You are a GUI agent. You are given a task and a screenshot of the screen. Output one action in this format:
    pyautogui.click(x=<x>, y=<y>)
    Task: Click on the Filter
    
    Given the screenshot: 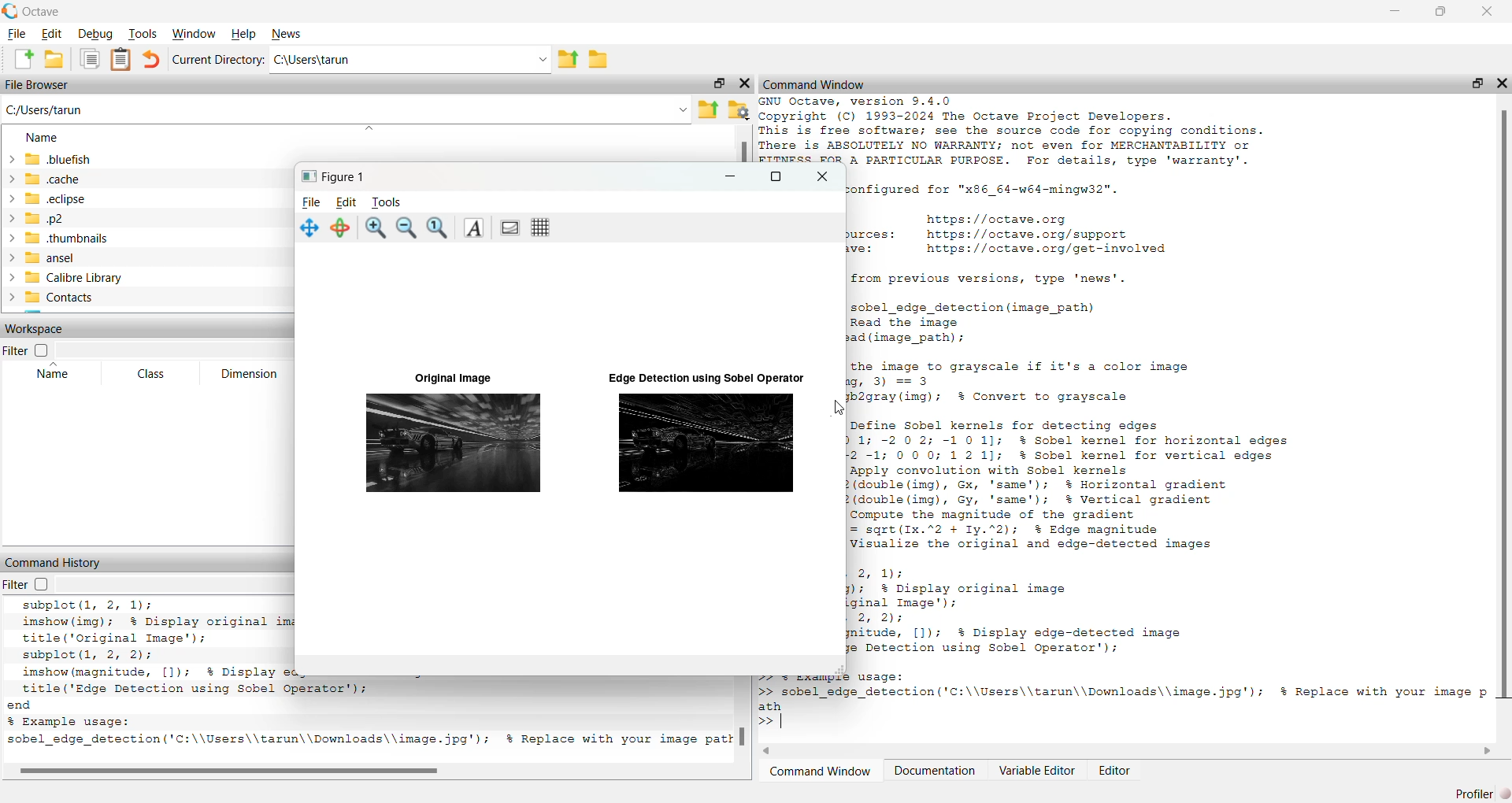 What is the action you would take?
    pyautogui.click(x=13, y=352)
    